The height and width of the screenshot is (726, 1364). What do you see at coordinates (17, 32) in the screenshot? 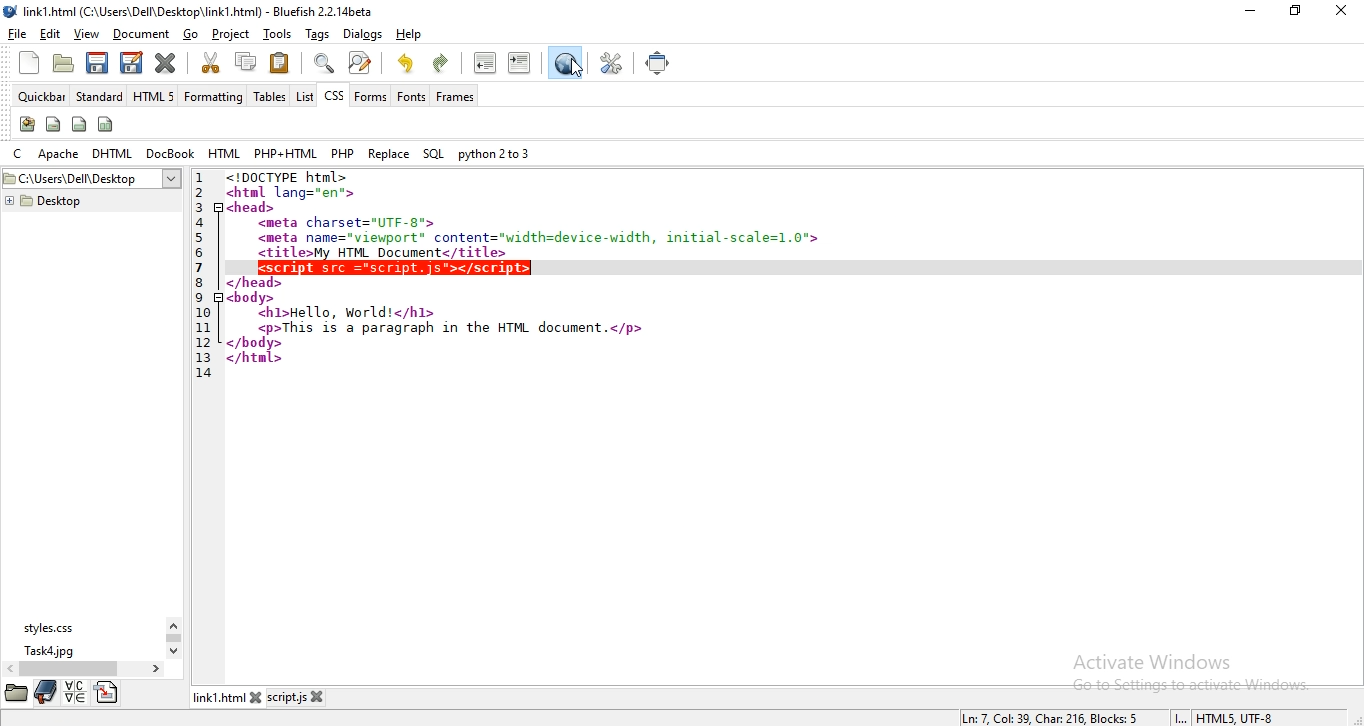
I see `file` at bounding box center [17, 32].